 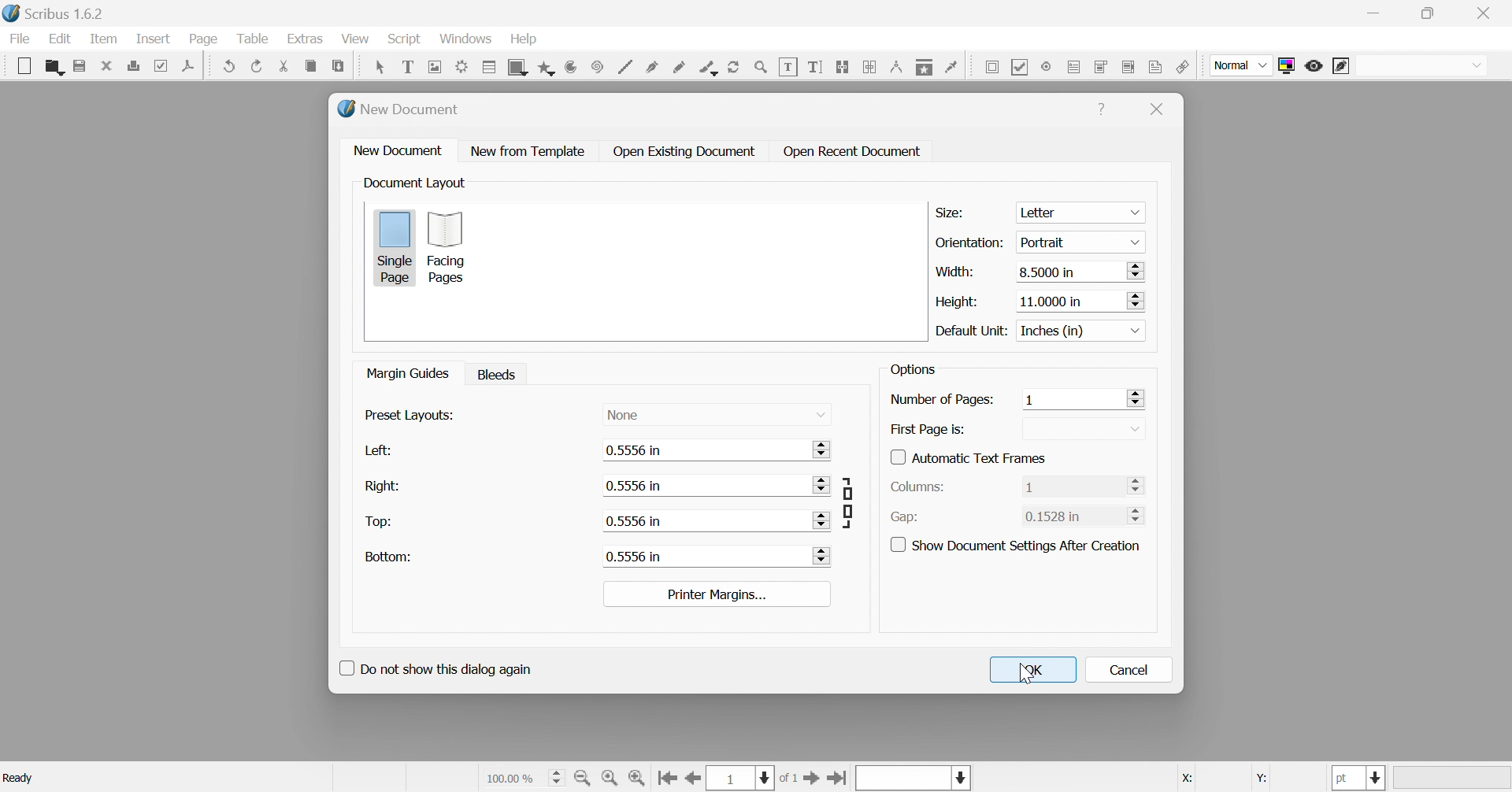 I want to click on height, so click(x=957, y=302).